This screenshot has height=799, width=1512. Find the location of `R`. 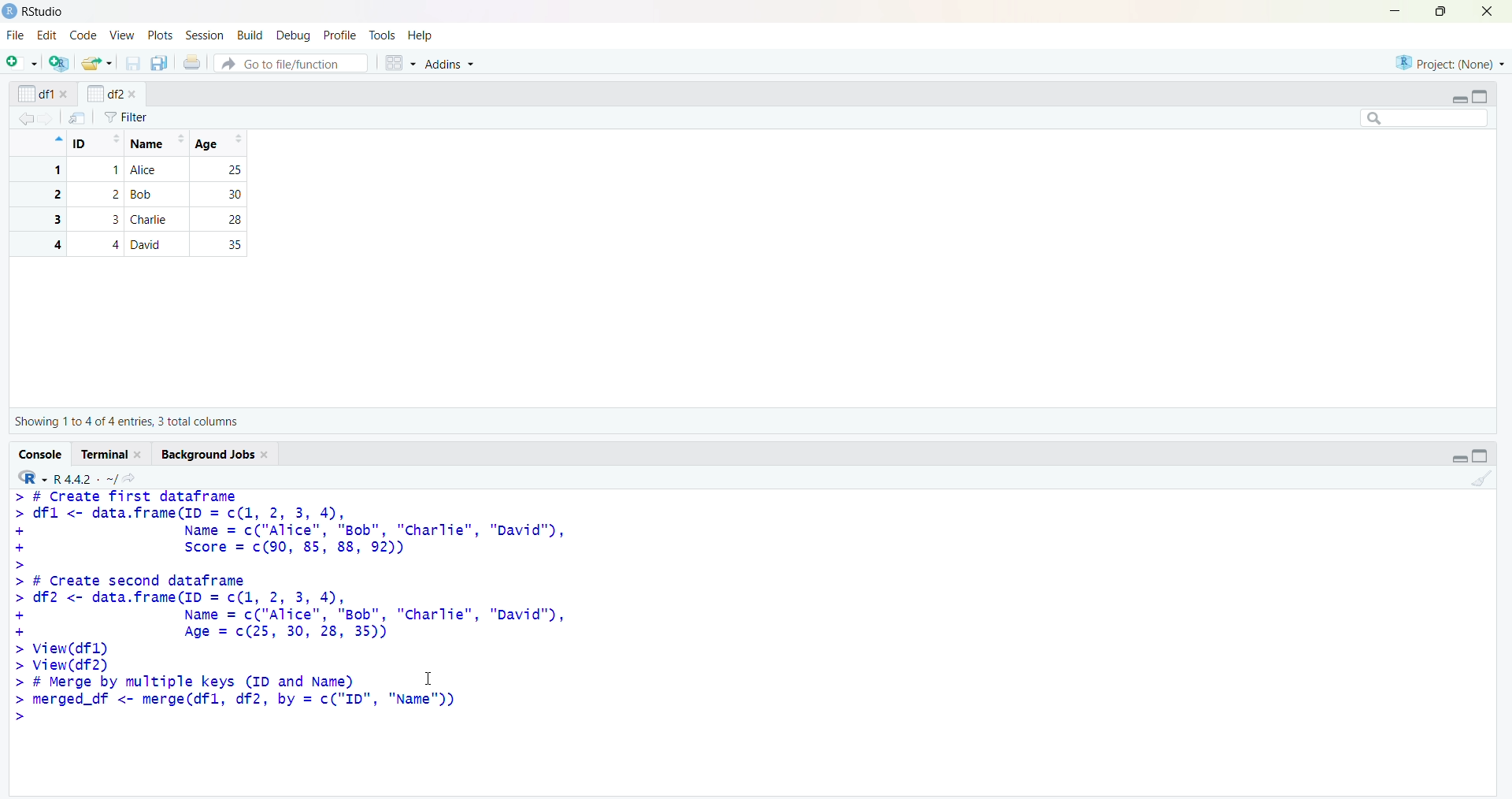

R is located at coordinates (32, 478).